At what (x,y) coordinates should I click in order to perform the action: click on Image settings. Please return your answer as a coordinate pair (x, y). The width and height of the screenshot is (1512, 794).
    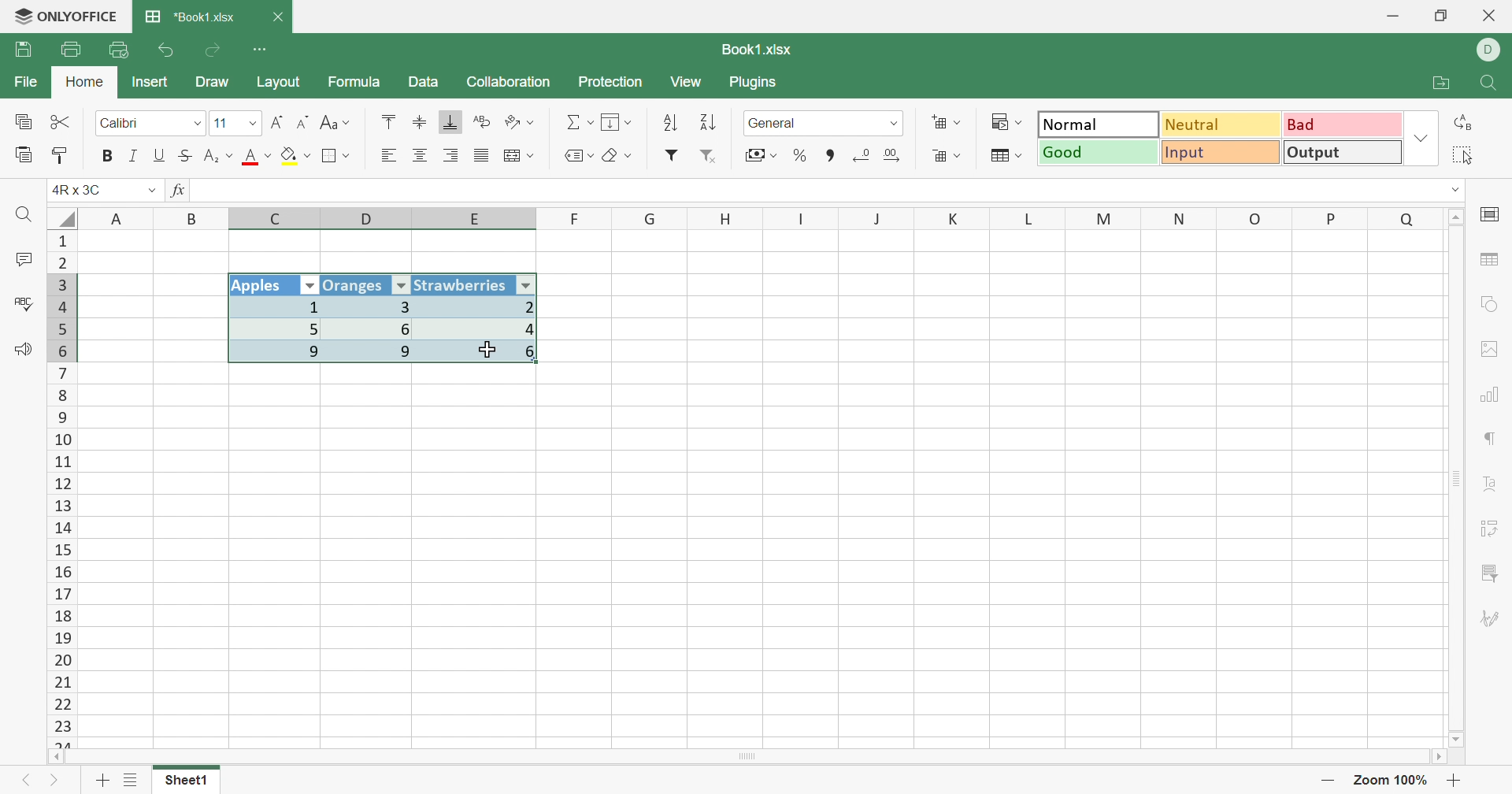
    Looking at the image, I should click on (1495, 349).